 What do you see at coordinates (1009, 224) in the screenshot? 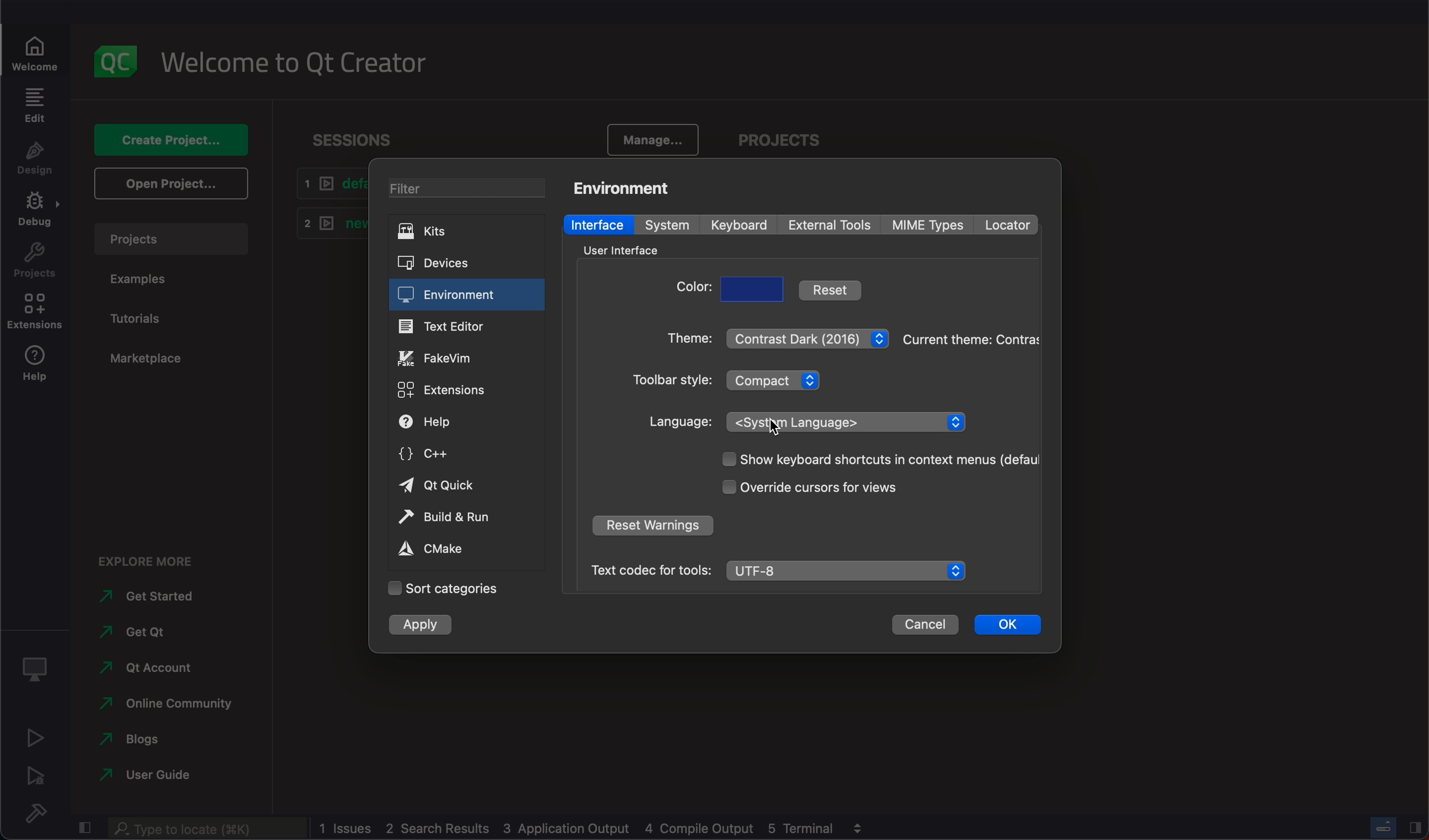
I see `locator` at bounding box center [1009, 224].